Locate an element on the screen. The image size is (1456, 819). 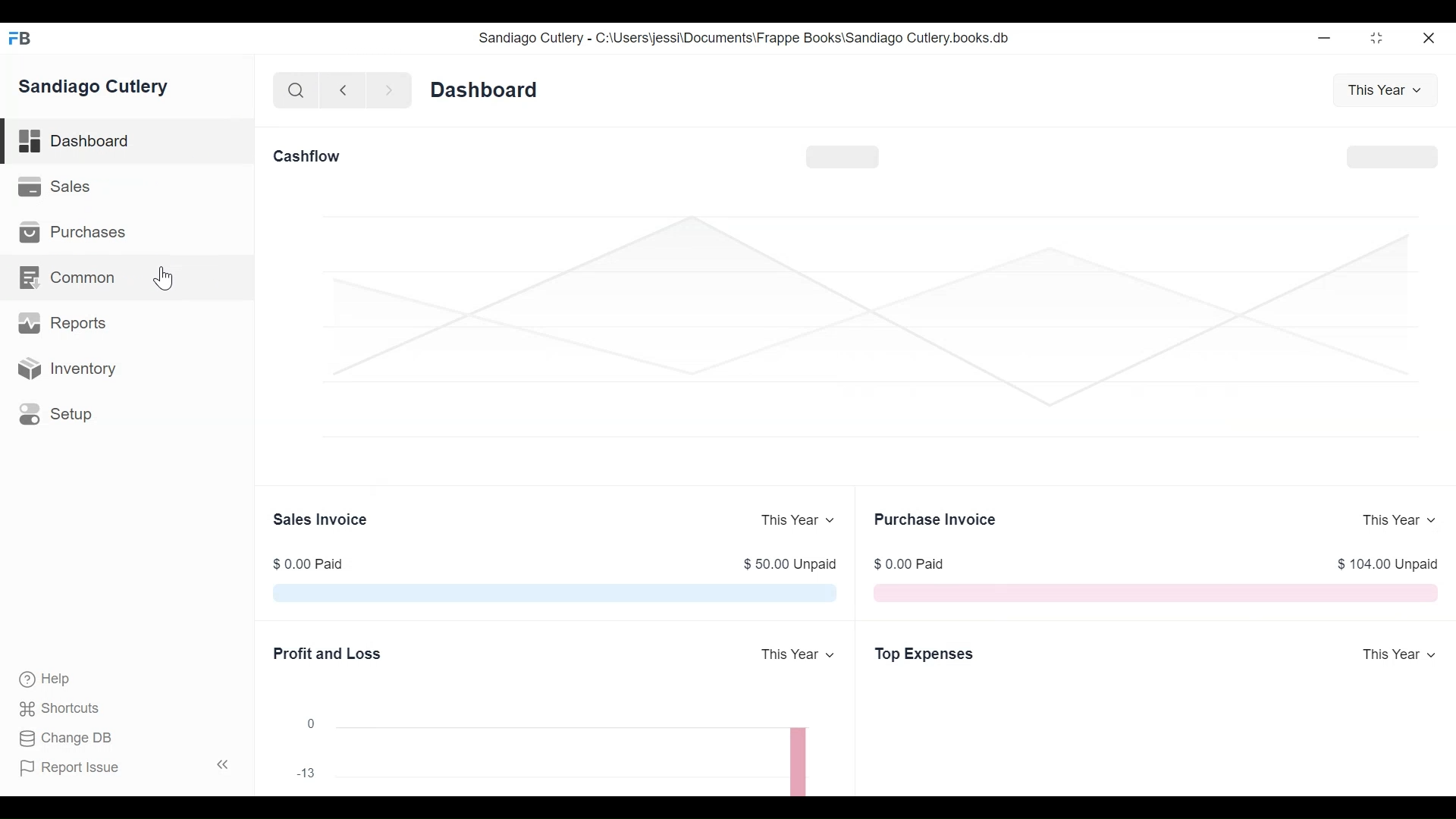
Search is located at coordinates (297, 91).